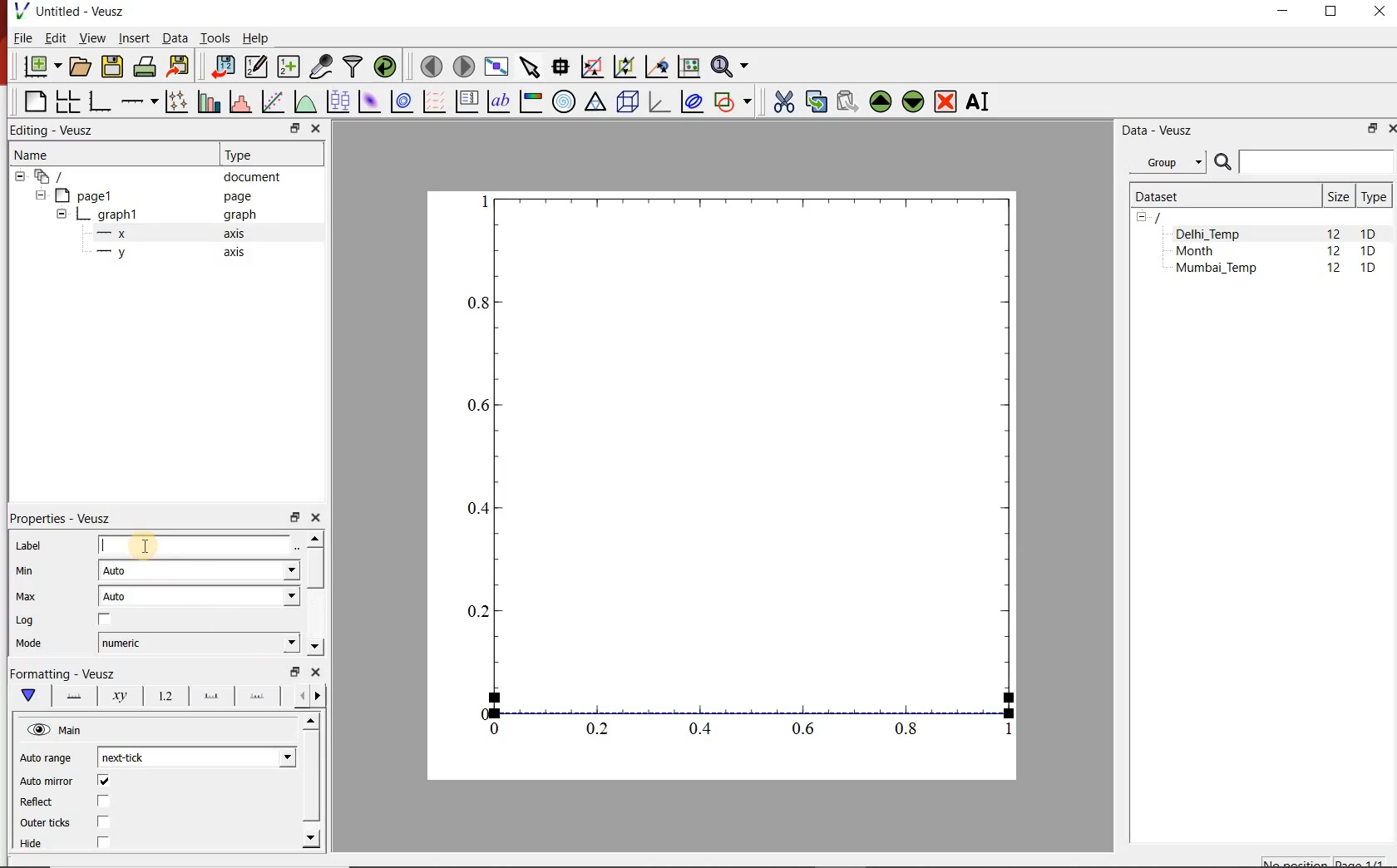 The width and height of the screenshot is (1397, 868). What do you see at coordinates (565, 103) in the screenshot?
I see `polar graph` at bounding box center [565, 103].